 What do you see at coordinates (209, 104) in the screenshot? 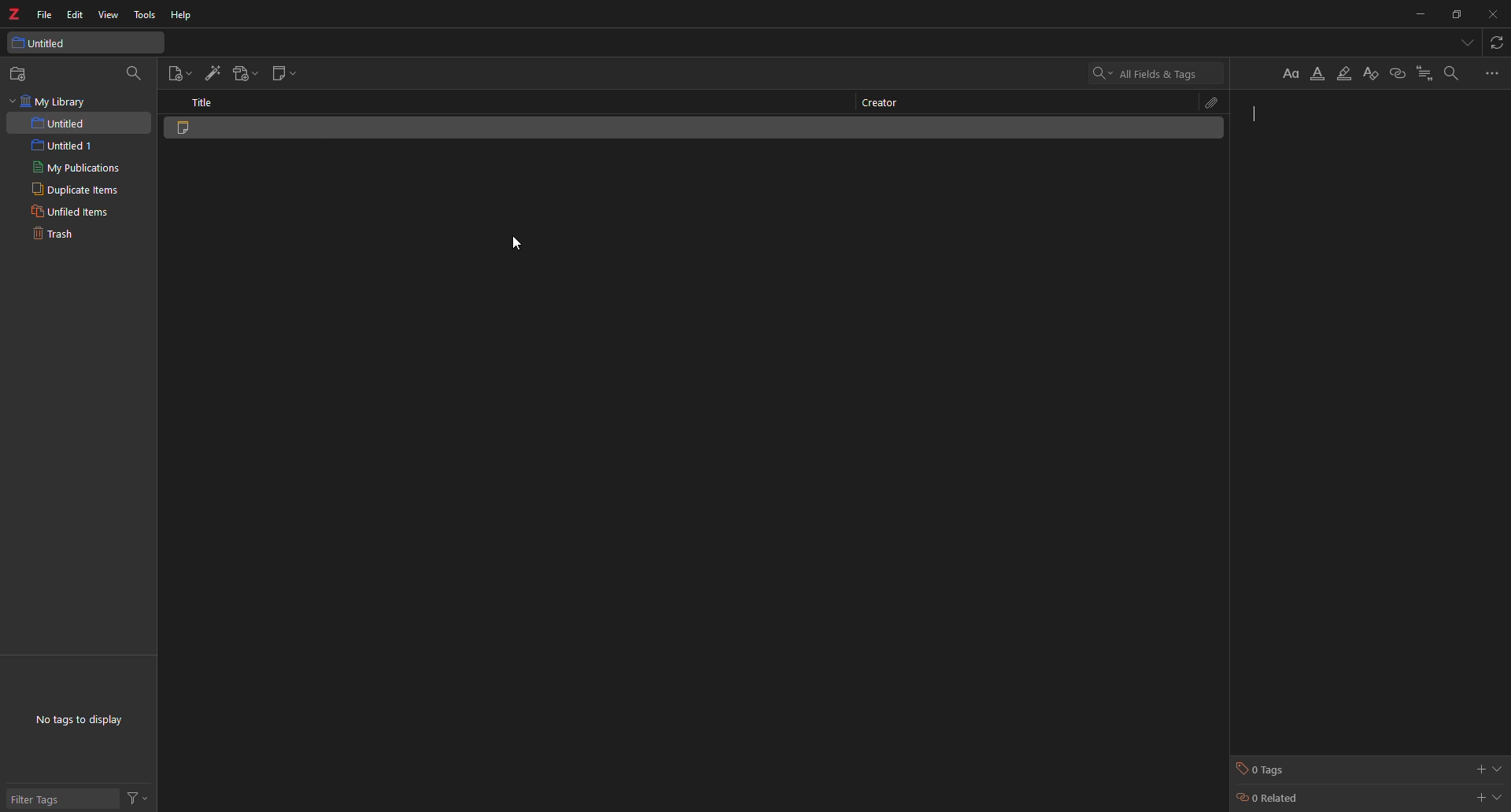
I see `title` at bounding box center [209, 104].